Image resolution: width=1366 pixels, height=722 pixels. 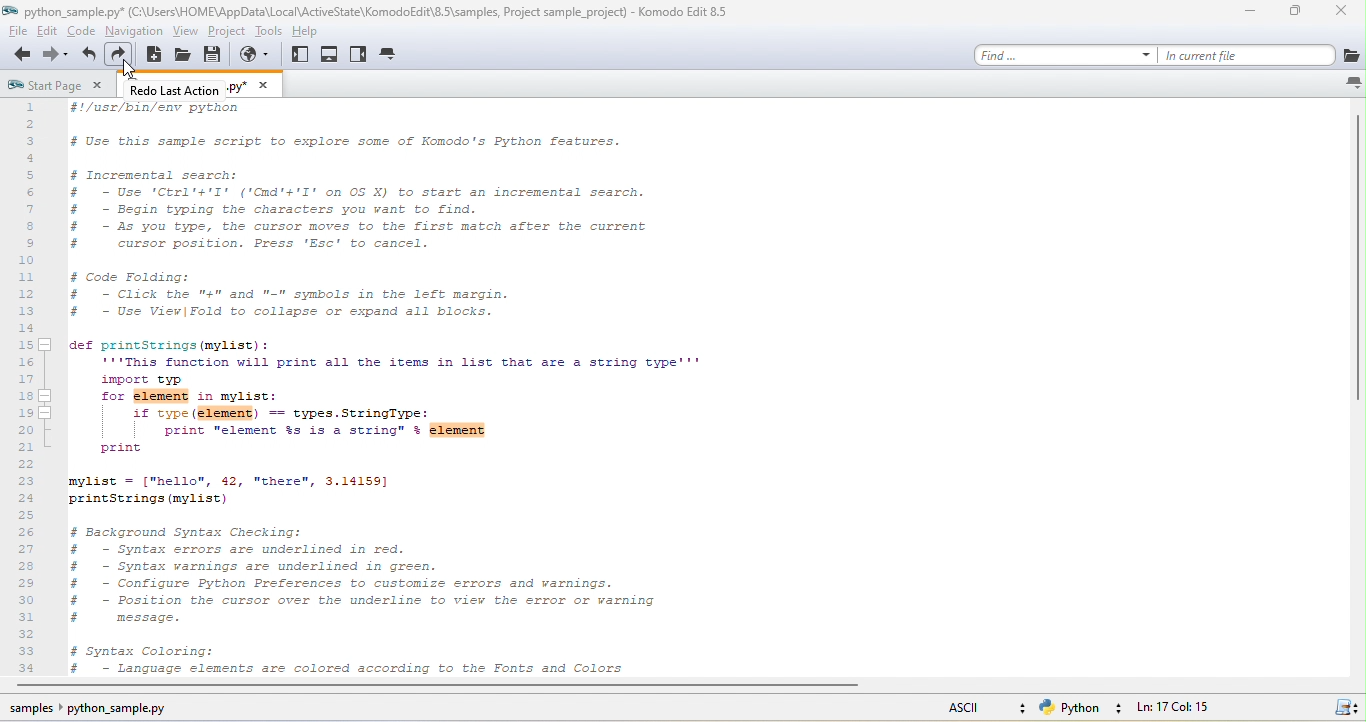 What do you see at coordinates (359, 58) in the screenshot?
I see `show /hide right pane` at bounding box center [359, 58].